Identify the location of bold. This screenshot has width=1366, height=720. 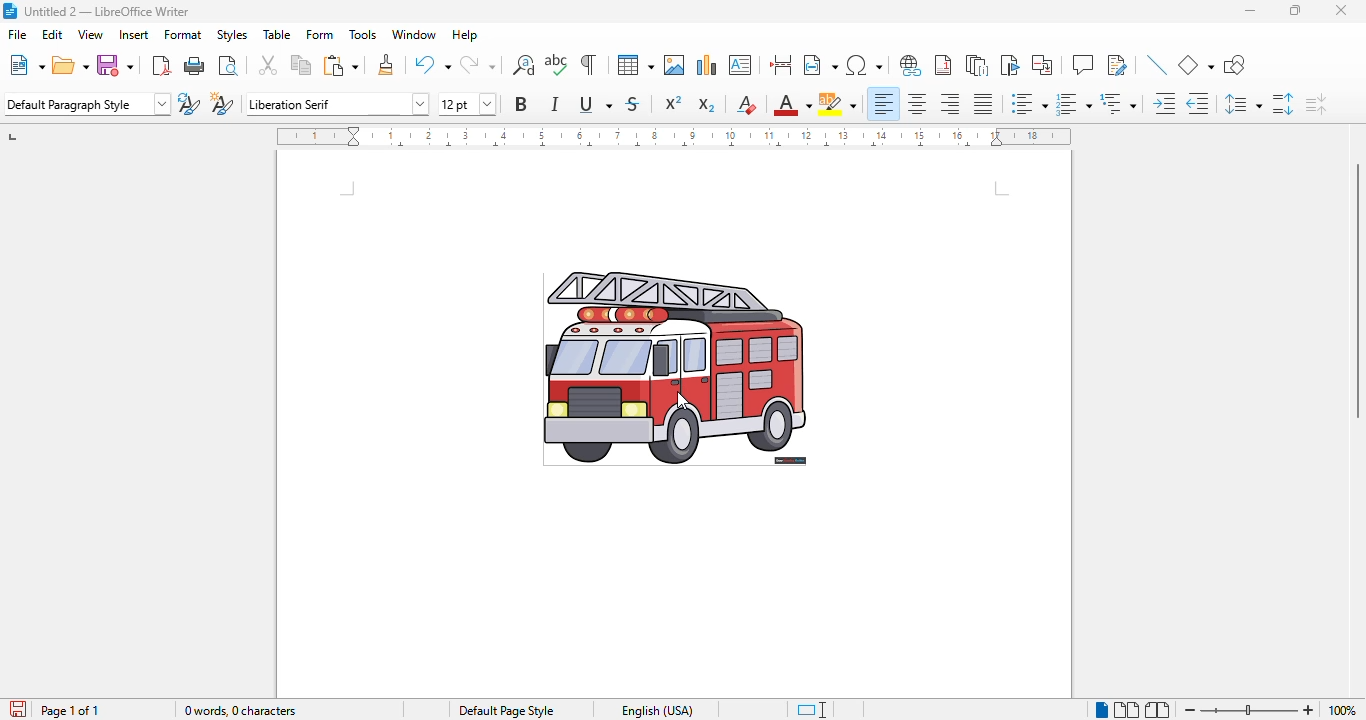
(522, 103).